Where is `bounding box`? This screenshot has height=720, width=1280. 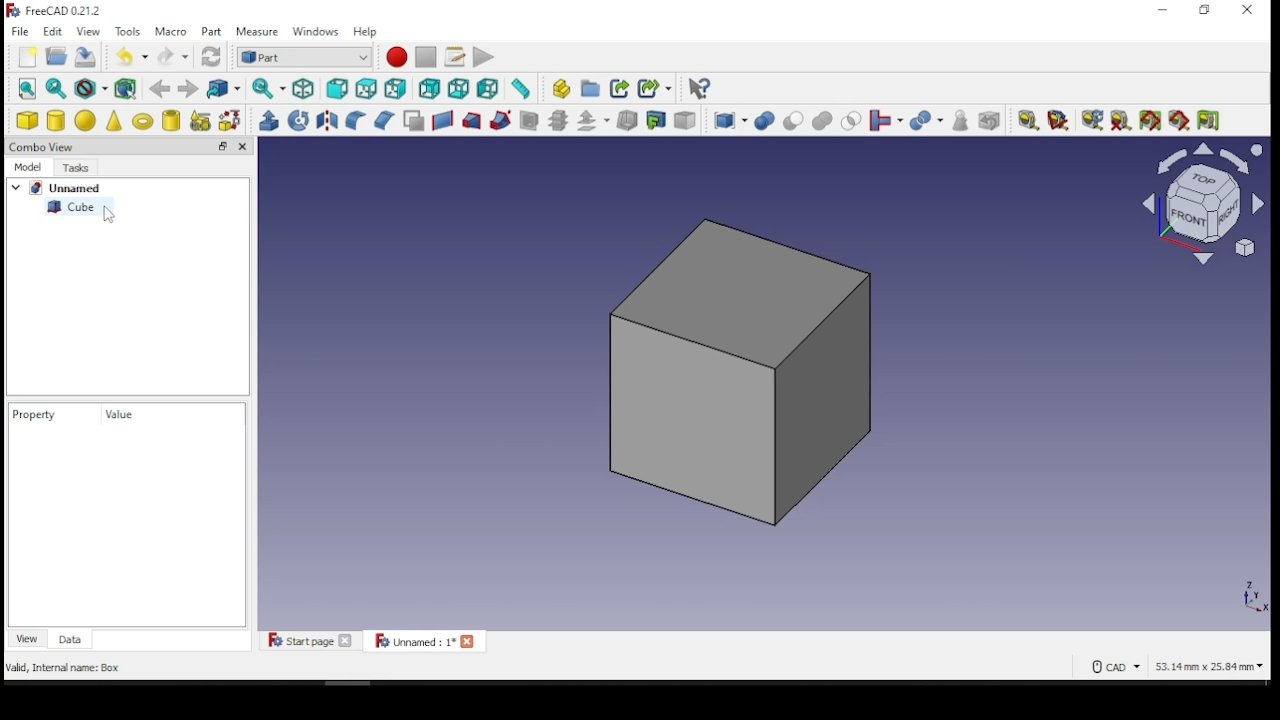 bounding box is located at coordinates (128, 90).